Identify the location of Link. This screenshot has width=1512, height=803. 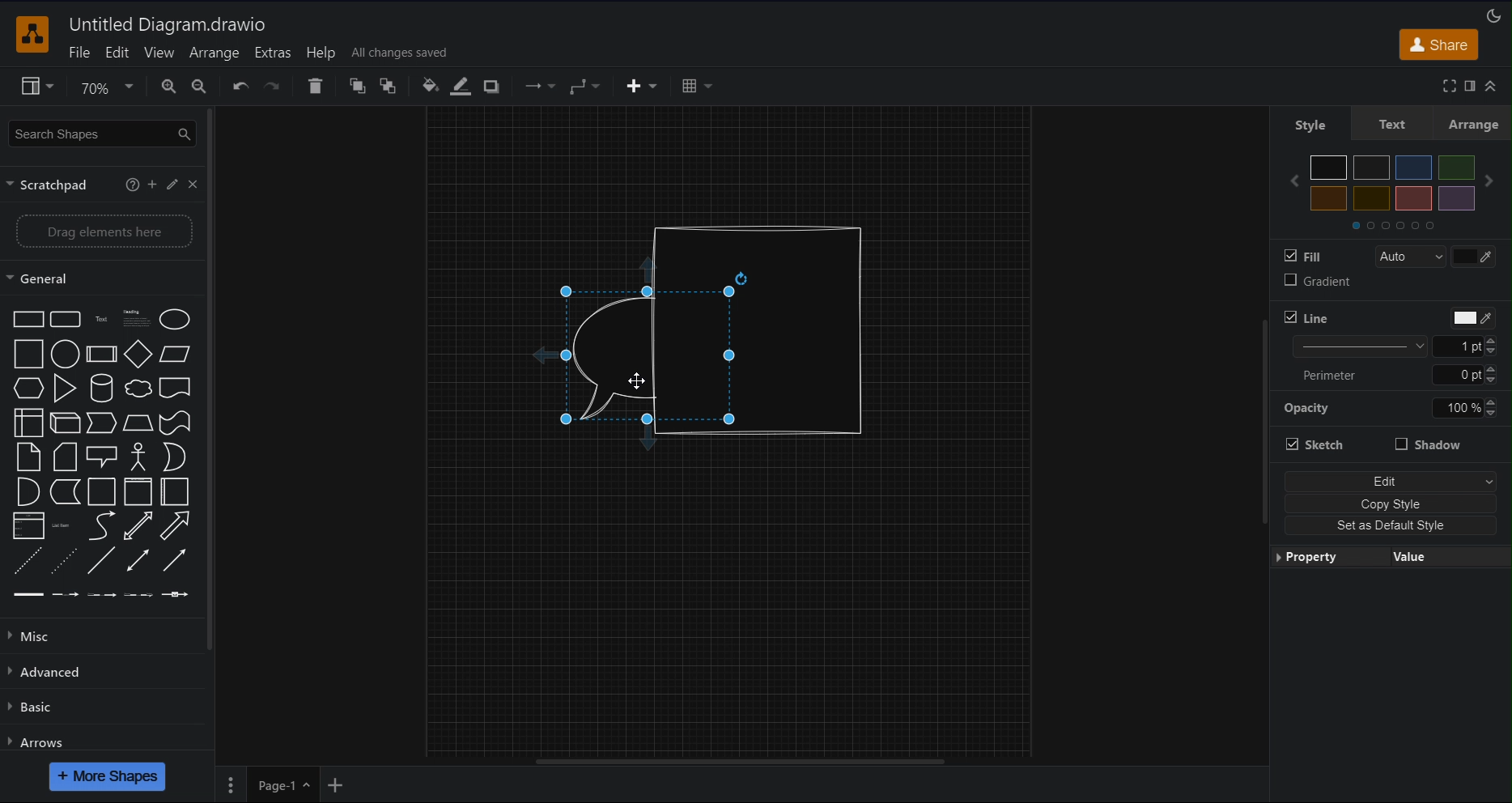
(28, 595).